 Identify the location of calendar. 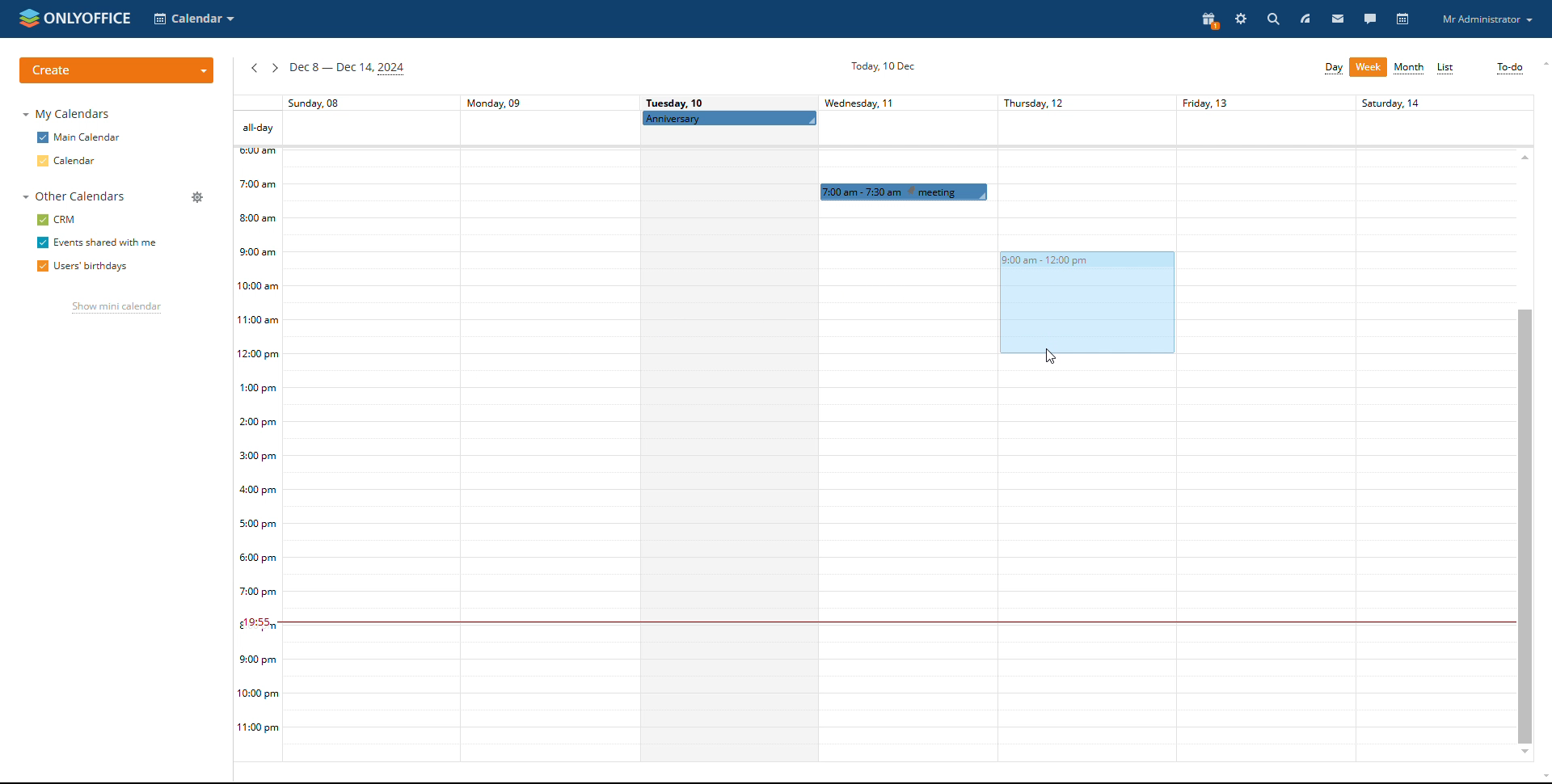
(1404, 19).